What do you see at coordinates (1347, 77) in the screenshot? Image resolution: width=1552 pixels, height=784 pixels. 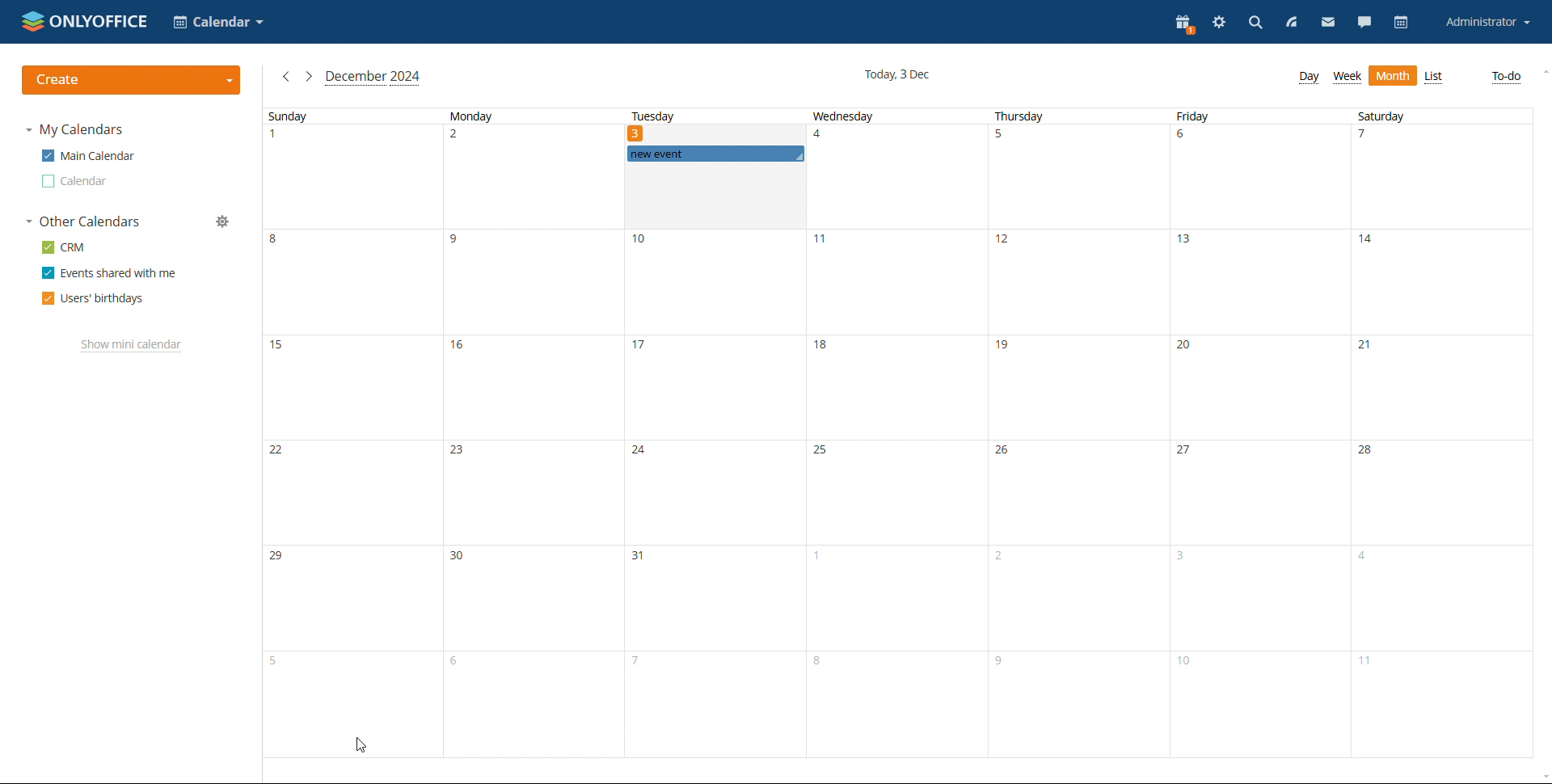 I see `week view` at bounding box center [1347, 77].